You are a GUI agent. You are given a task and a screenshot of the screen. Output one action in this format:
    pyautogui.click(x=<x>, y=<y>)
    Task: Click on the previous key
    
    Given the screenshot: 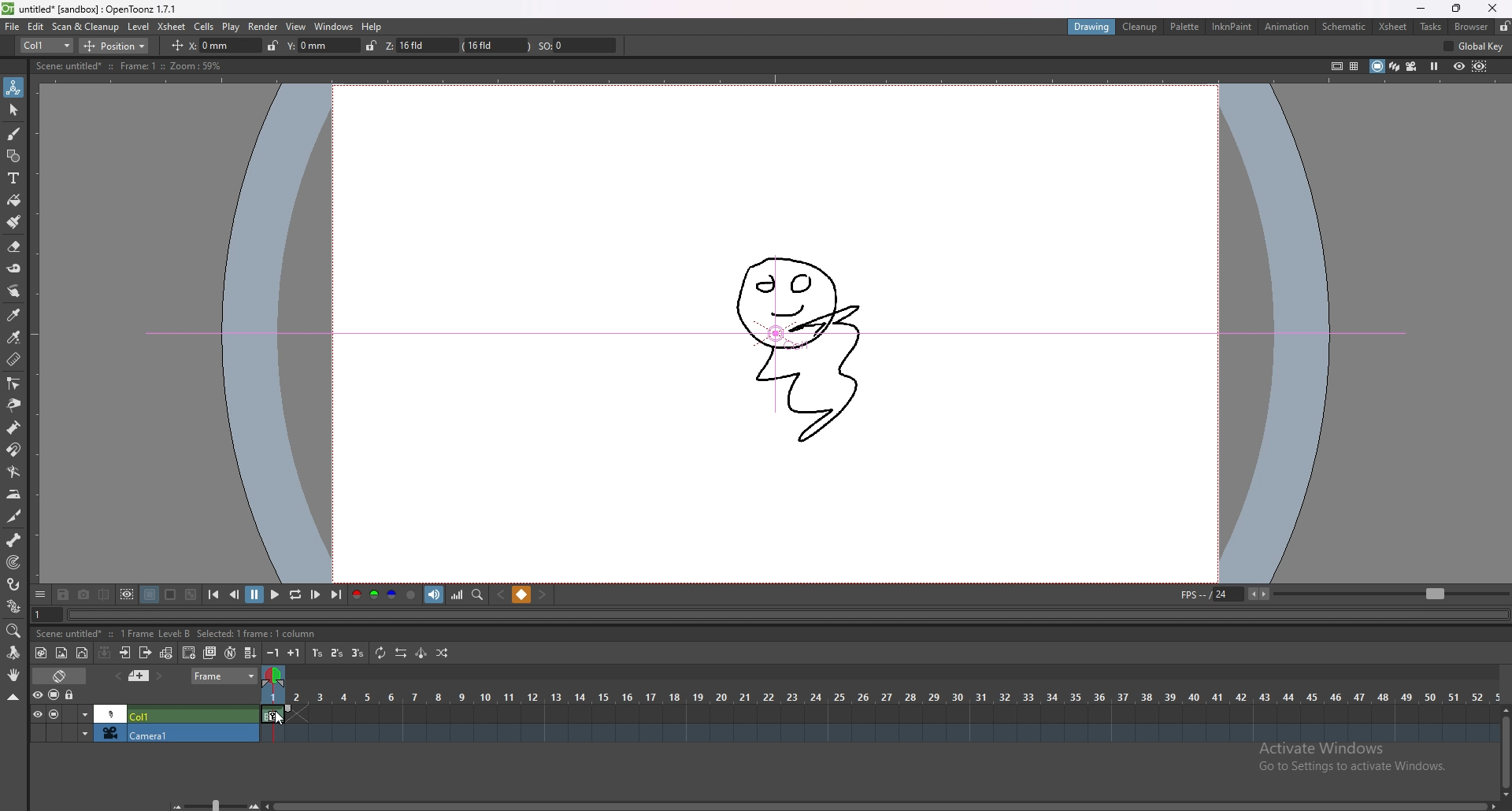 What is the action you would take?
    pyautogui.click(x=502, y=594)
    